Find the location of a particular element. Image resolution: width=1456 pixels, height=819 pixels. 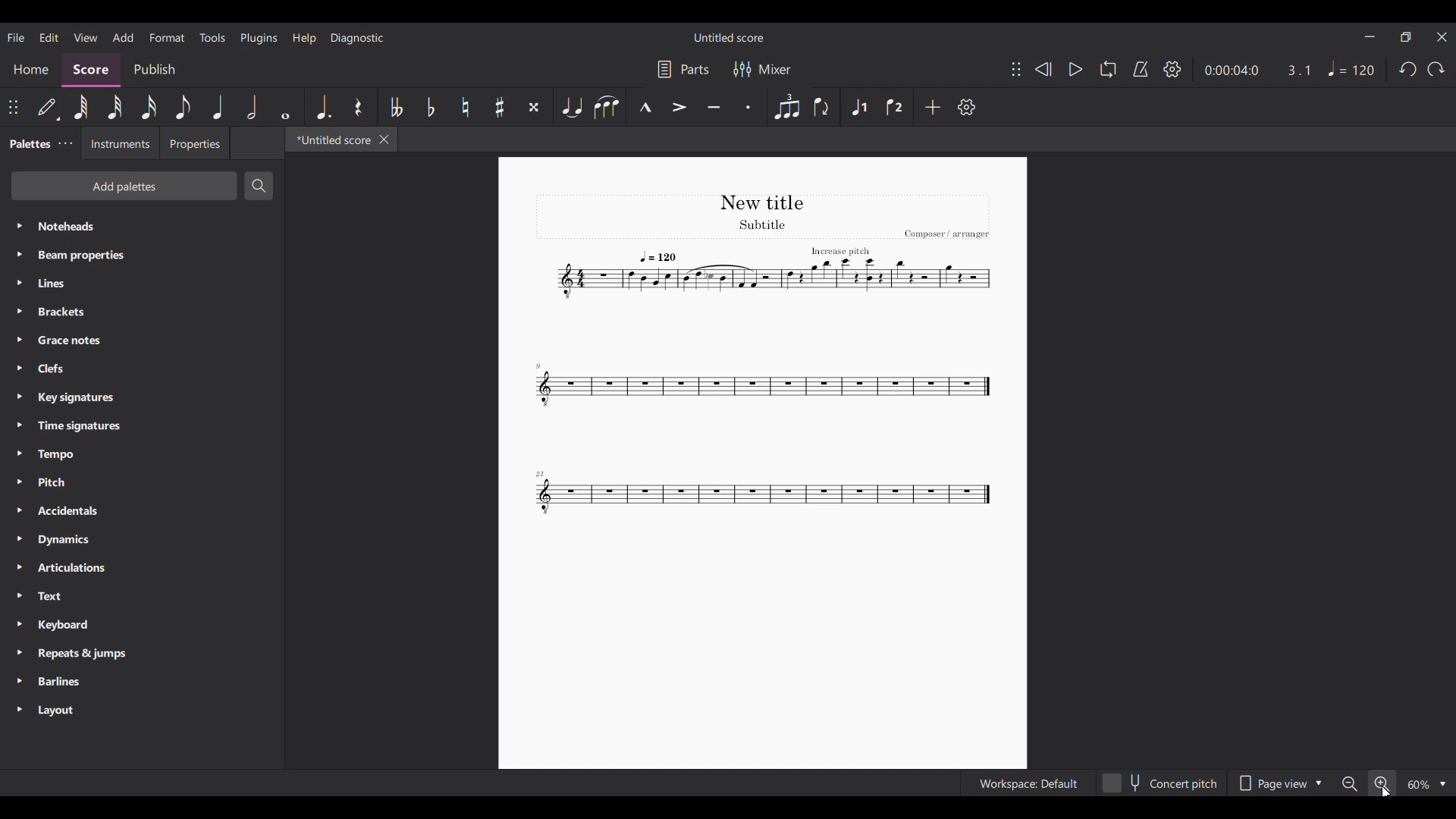

Voice 2 is located at coordinates (894, 107).